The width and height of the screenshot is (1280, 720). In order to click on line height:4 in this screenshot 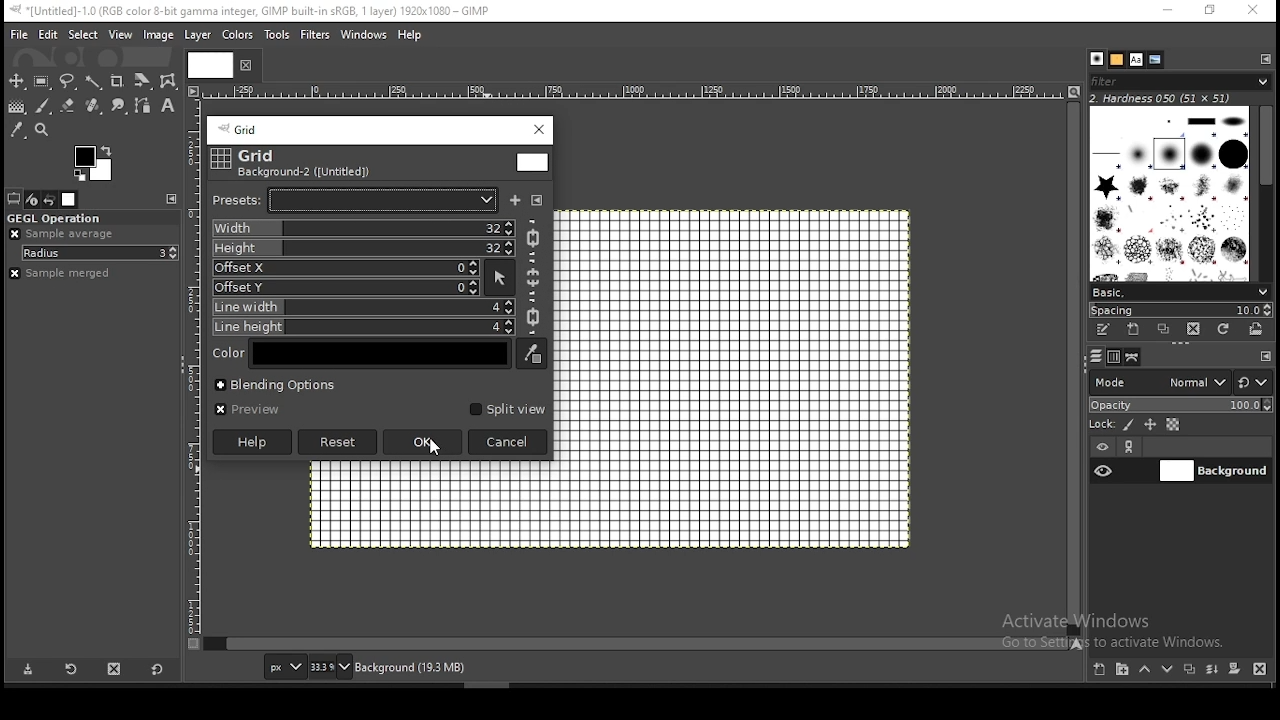, I will do `click(364, 327)`.